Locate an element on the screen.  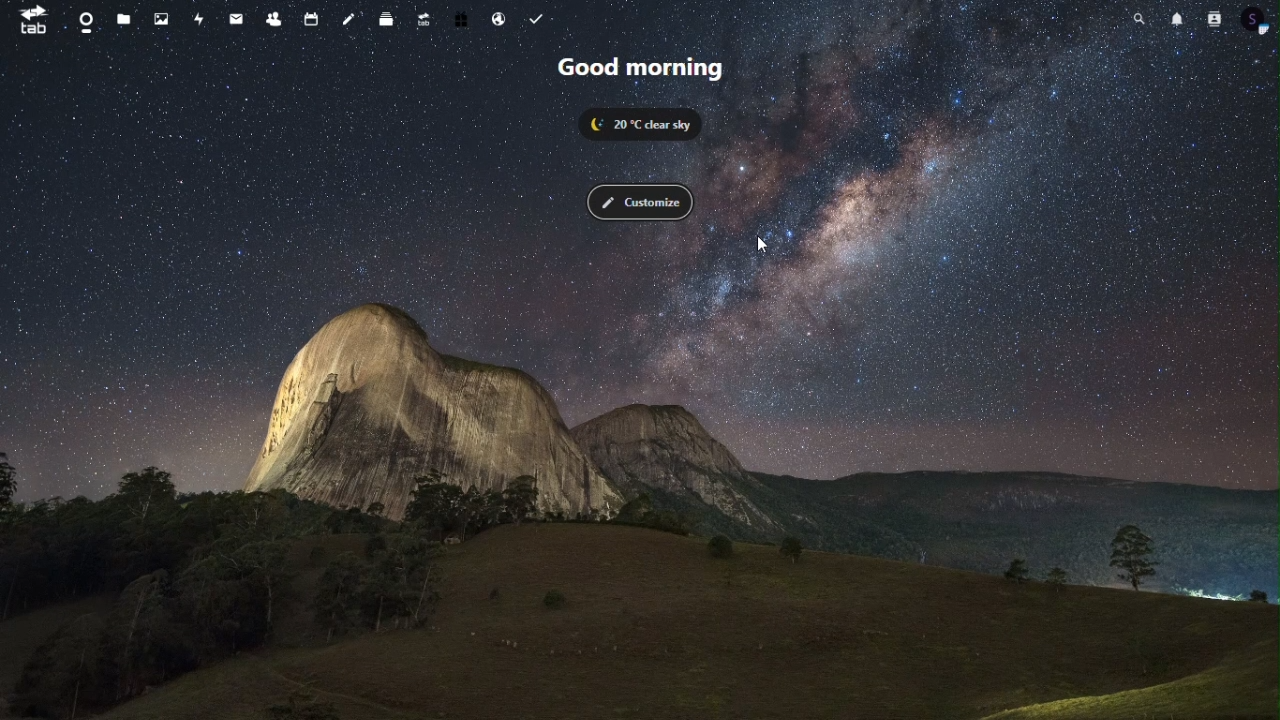
files is located at coordinates (124, 18).